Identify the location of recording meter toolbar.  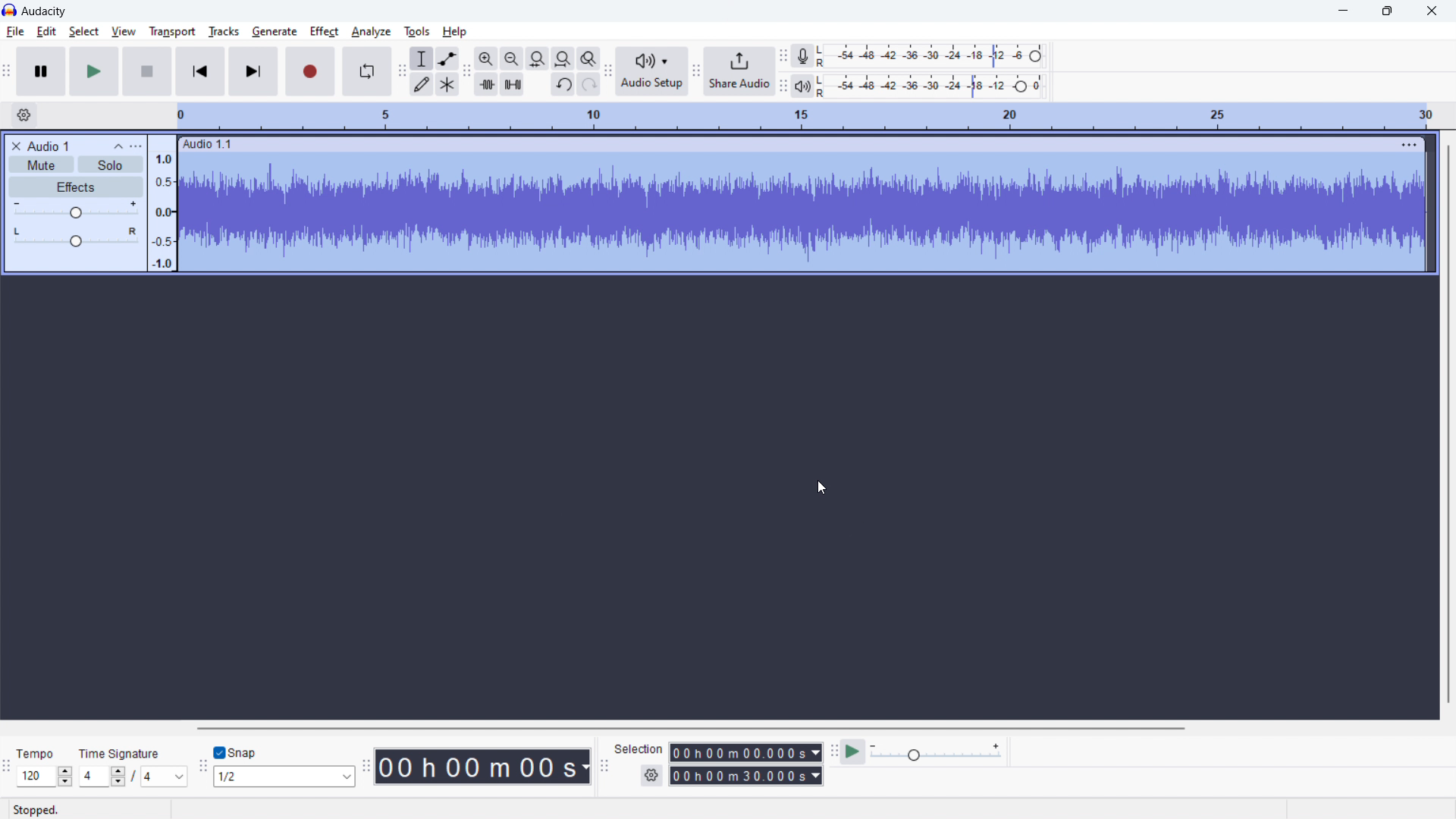
(783, 56).